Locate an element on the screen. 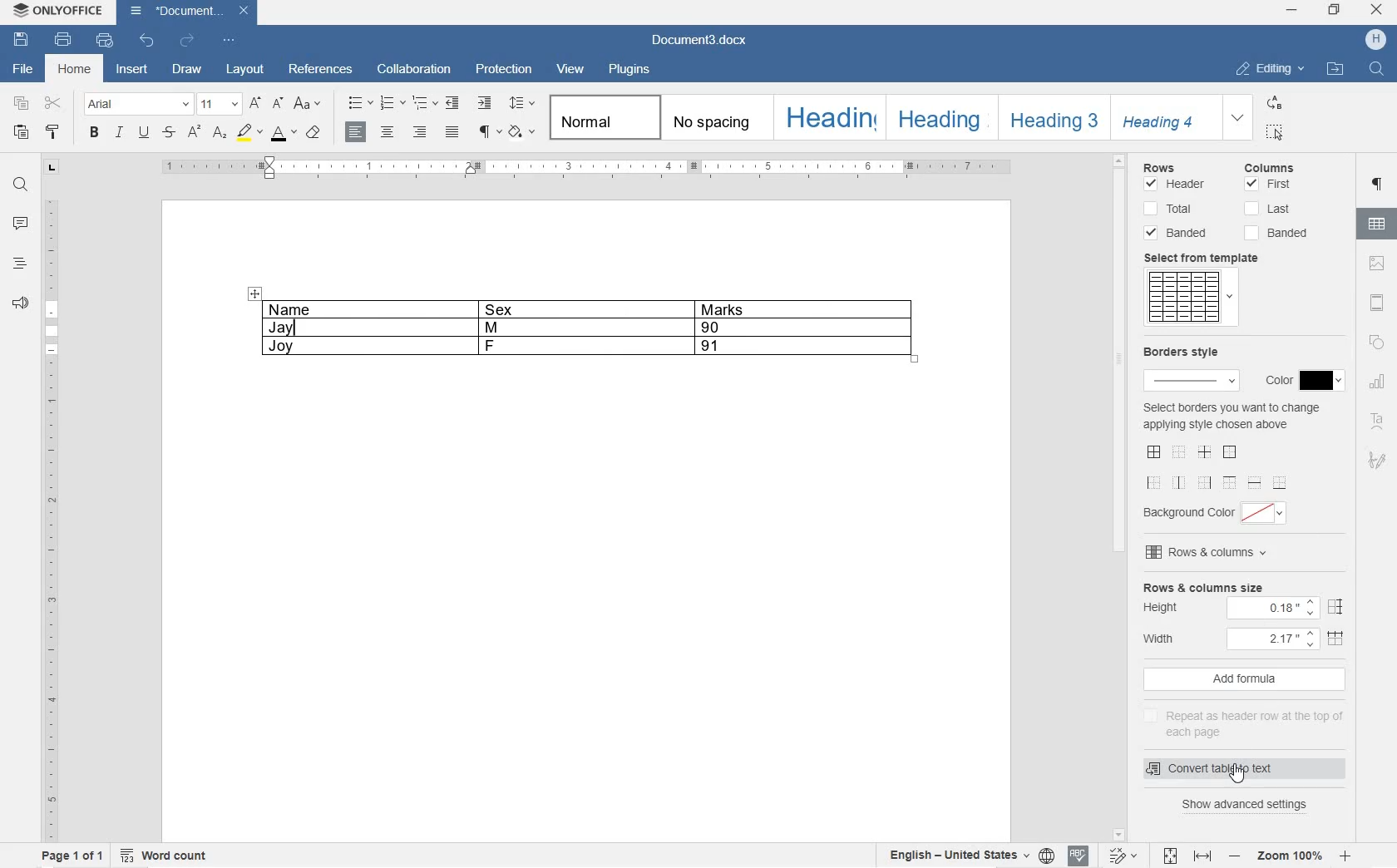  set outer right border only is located at coordinates (1203, 481).